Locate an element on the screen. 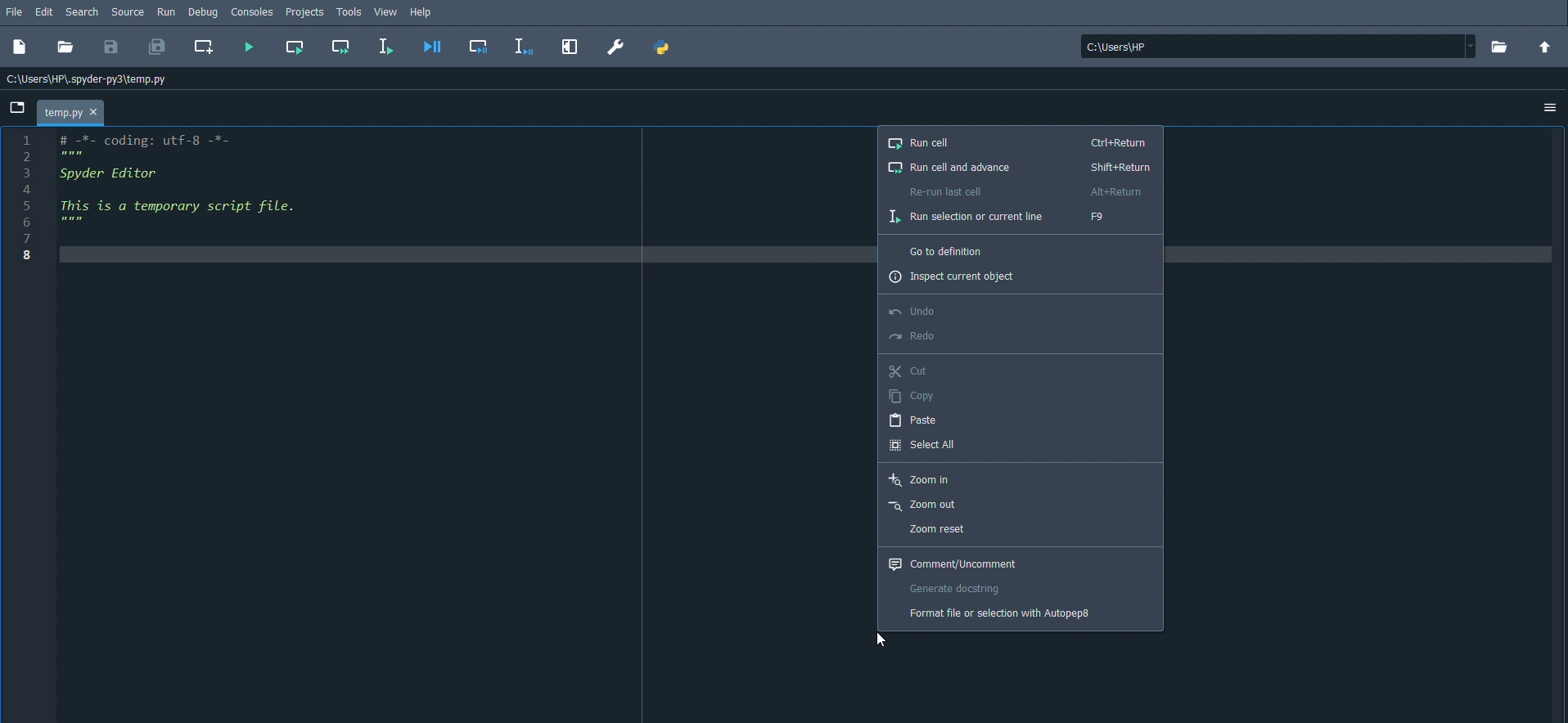  Tools is located at coordinates (353, 13).